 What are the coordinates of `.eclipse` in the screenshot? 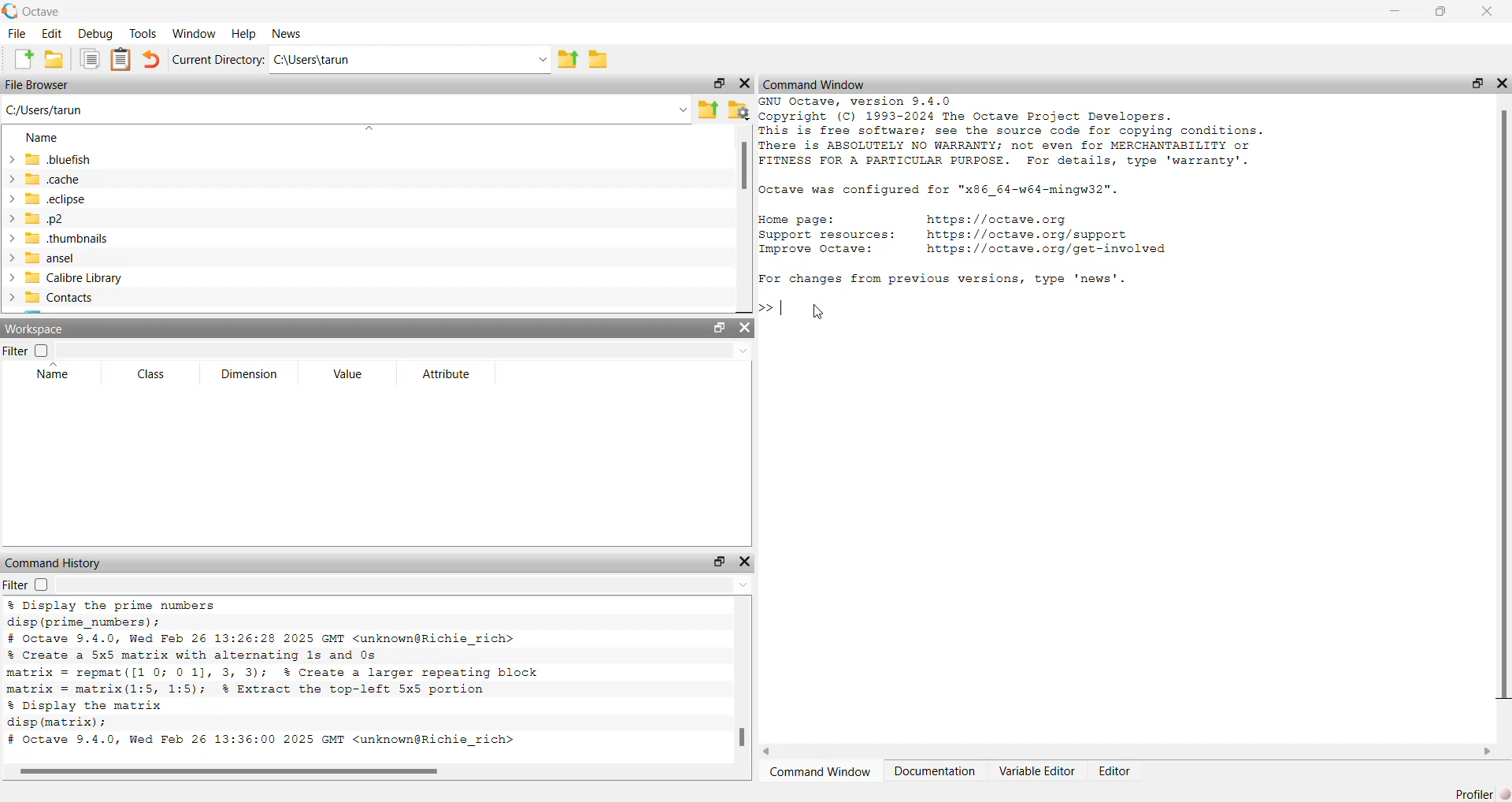 It's located at (61, 199).